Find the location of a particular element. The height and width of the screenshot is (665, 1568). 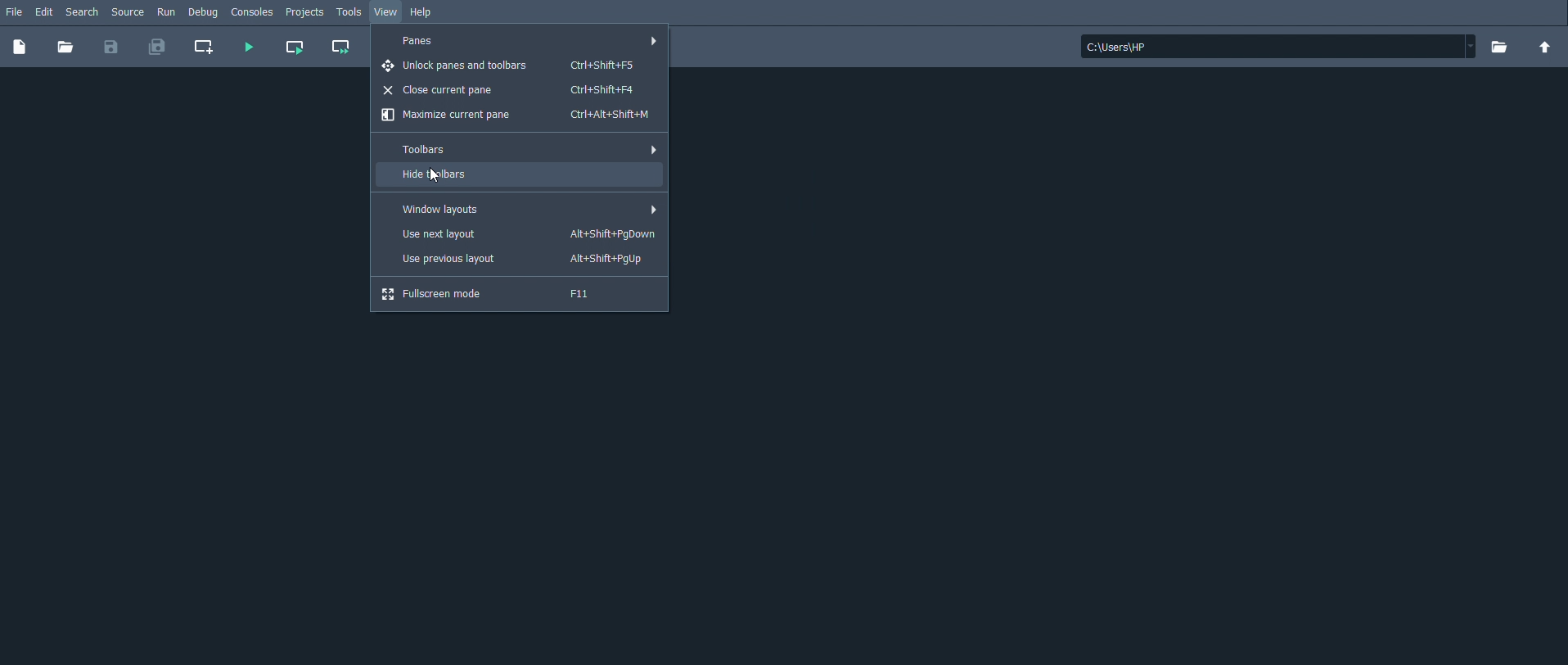

Secure is located at coordinates (130, 12).